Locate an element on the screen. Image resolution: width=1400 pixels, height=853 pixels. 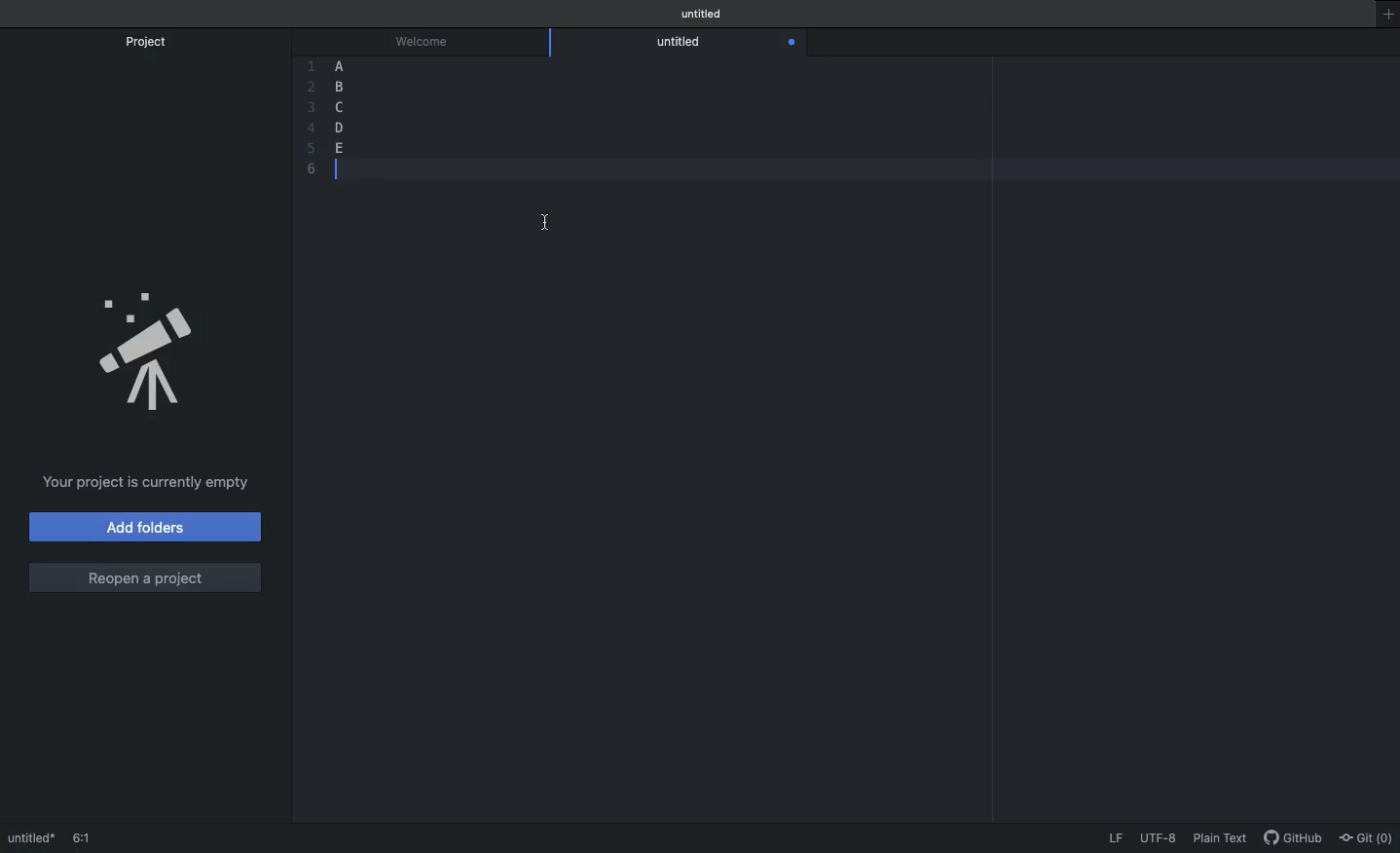
Git is located at coordinates (1367, 839).